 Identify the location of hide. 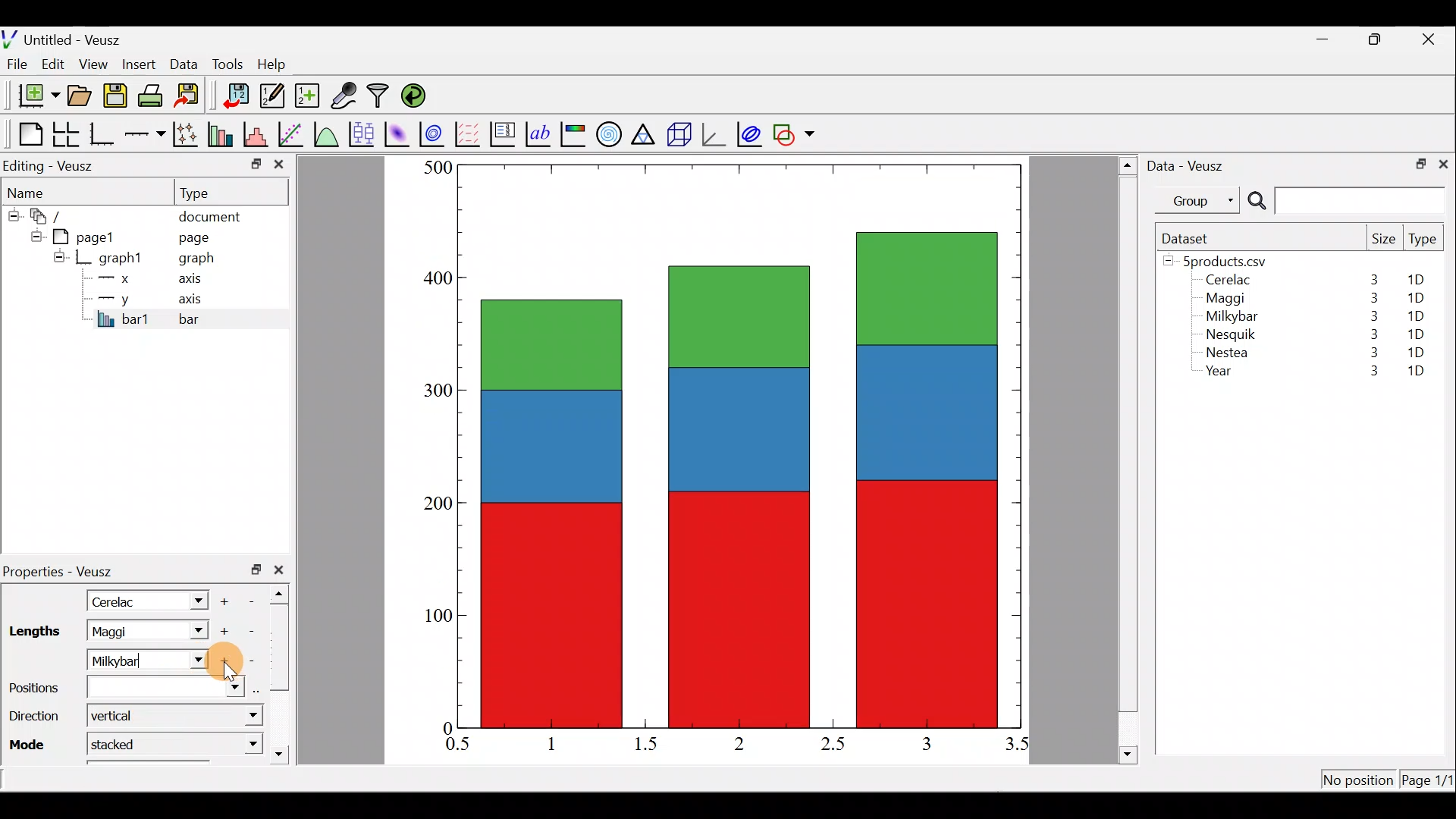
(12, 213).